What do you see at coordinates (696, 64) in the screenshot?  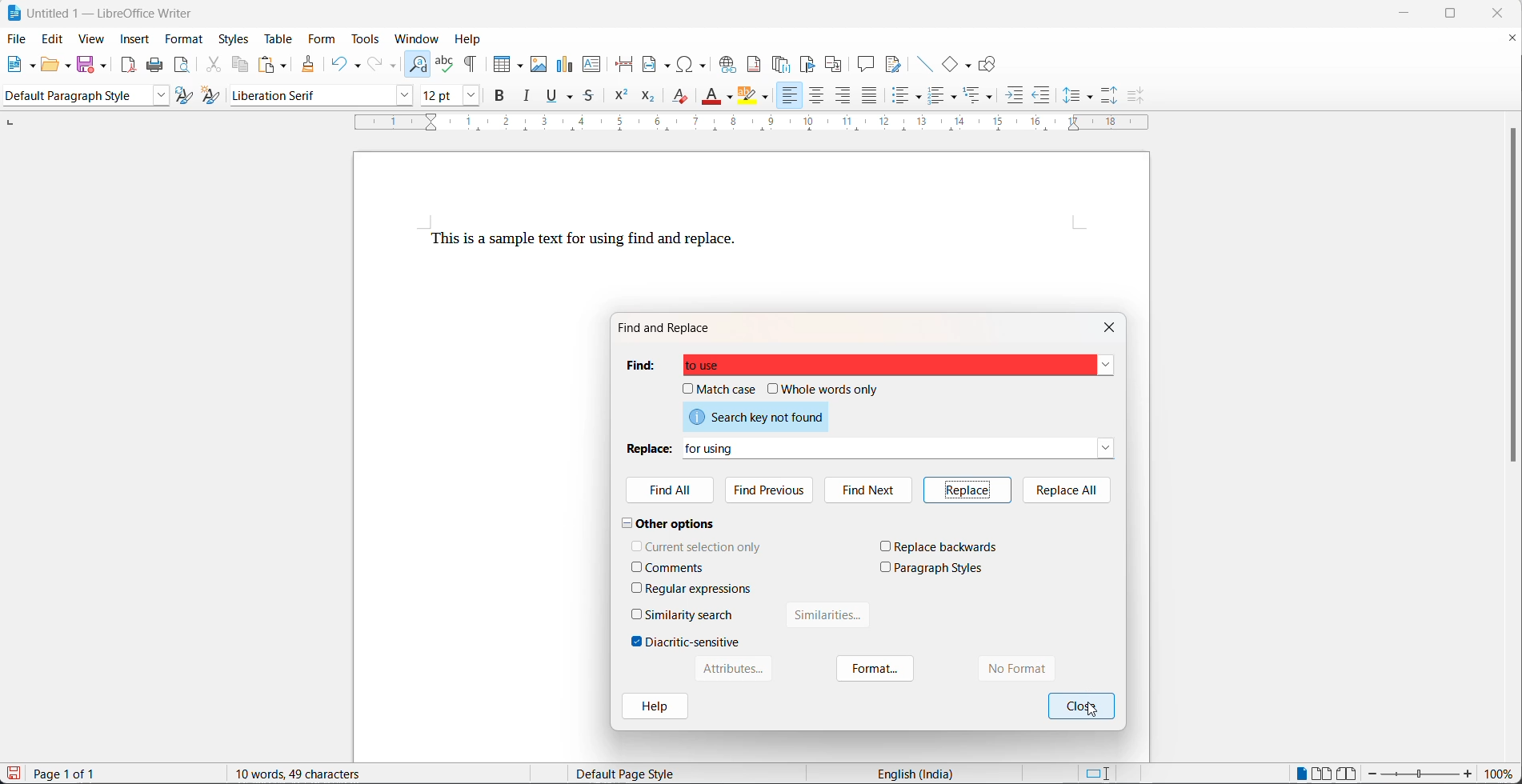 I see `insert special characters` at bounding box center [696, 64].